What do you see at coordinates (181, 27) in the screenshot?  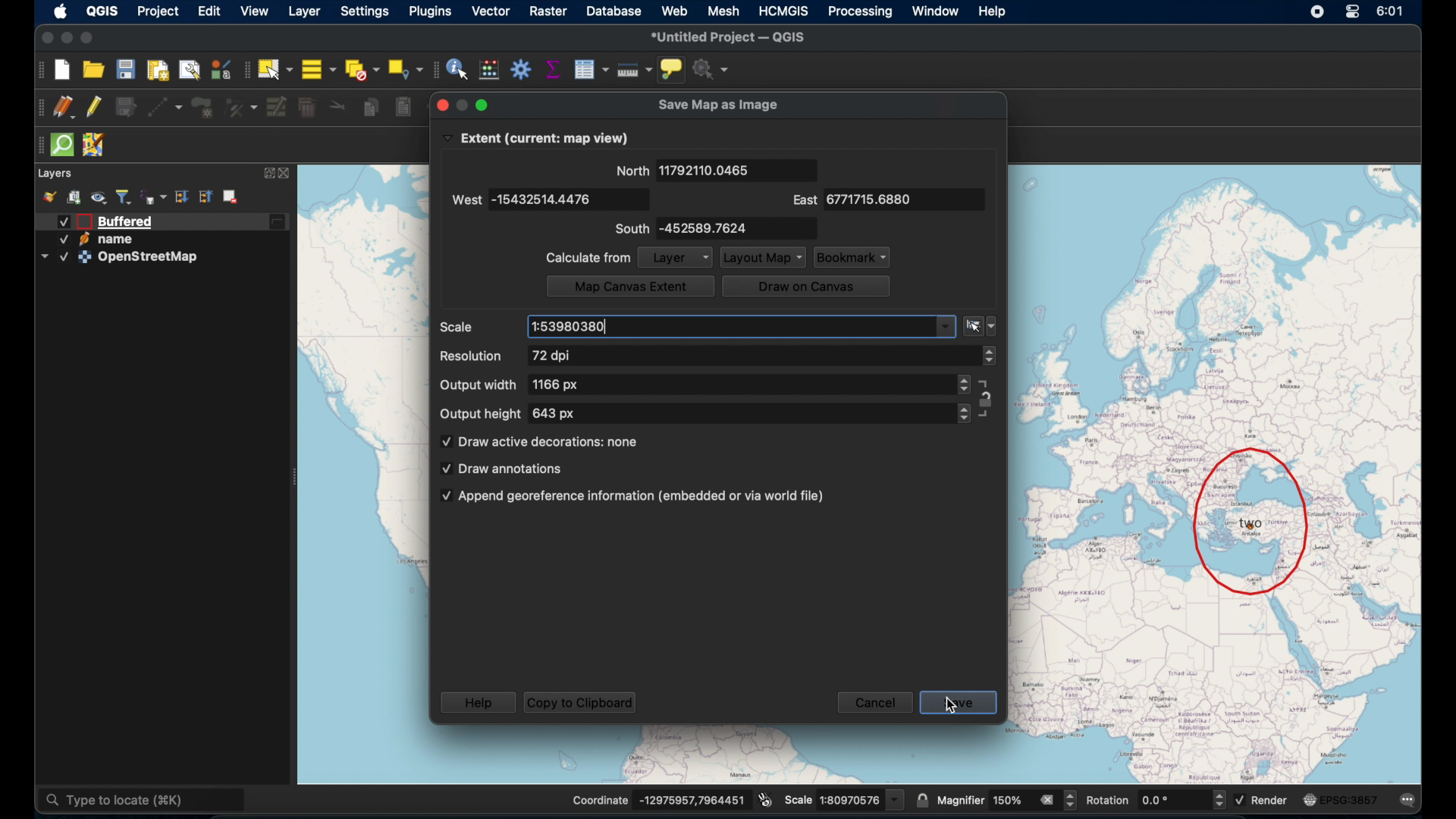 I see `cursor` at bounding box center [181, 27].